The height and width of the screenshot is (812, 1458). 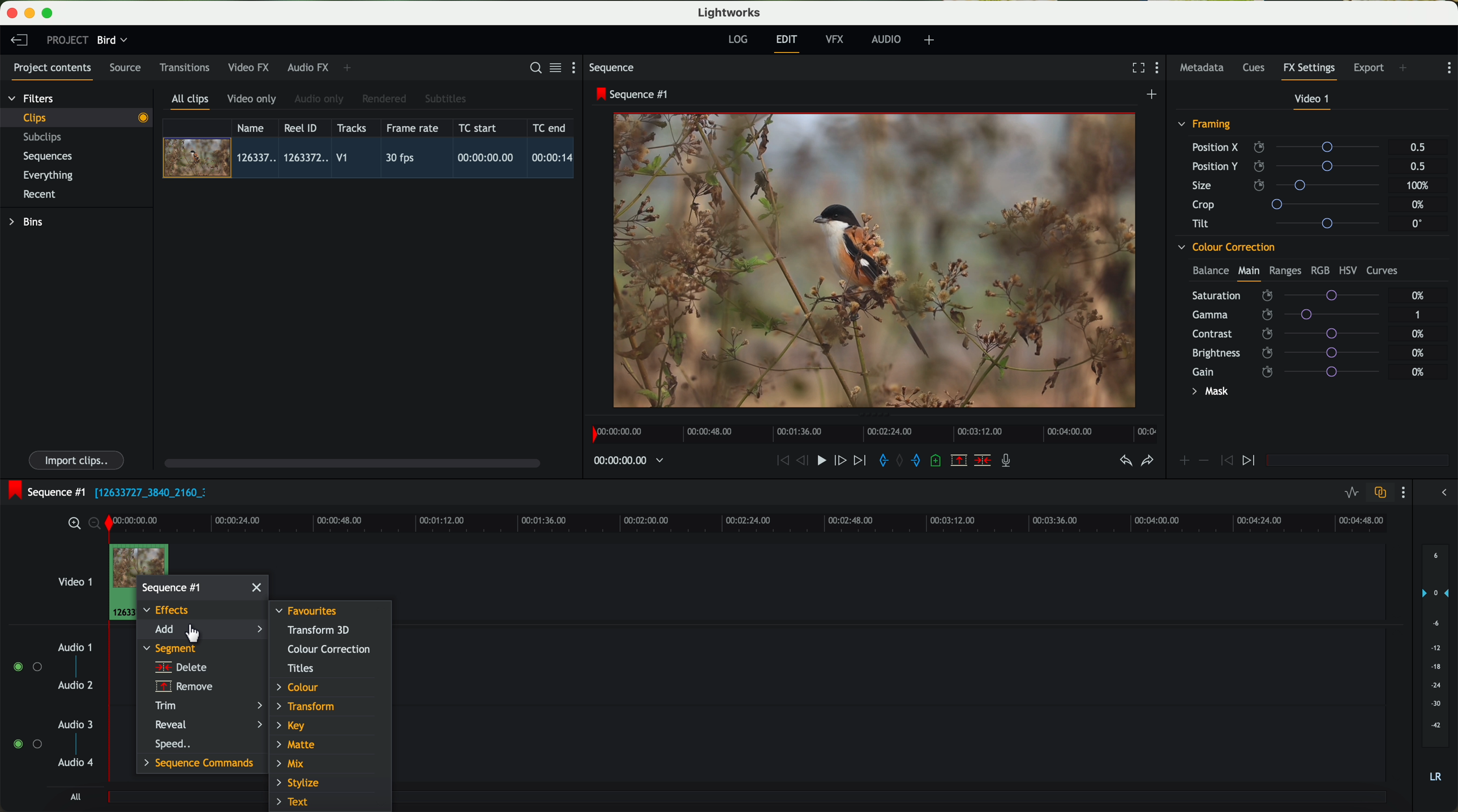 I want to click on show settings menu, so click(x=1402, y=492).